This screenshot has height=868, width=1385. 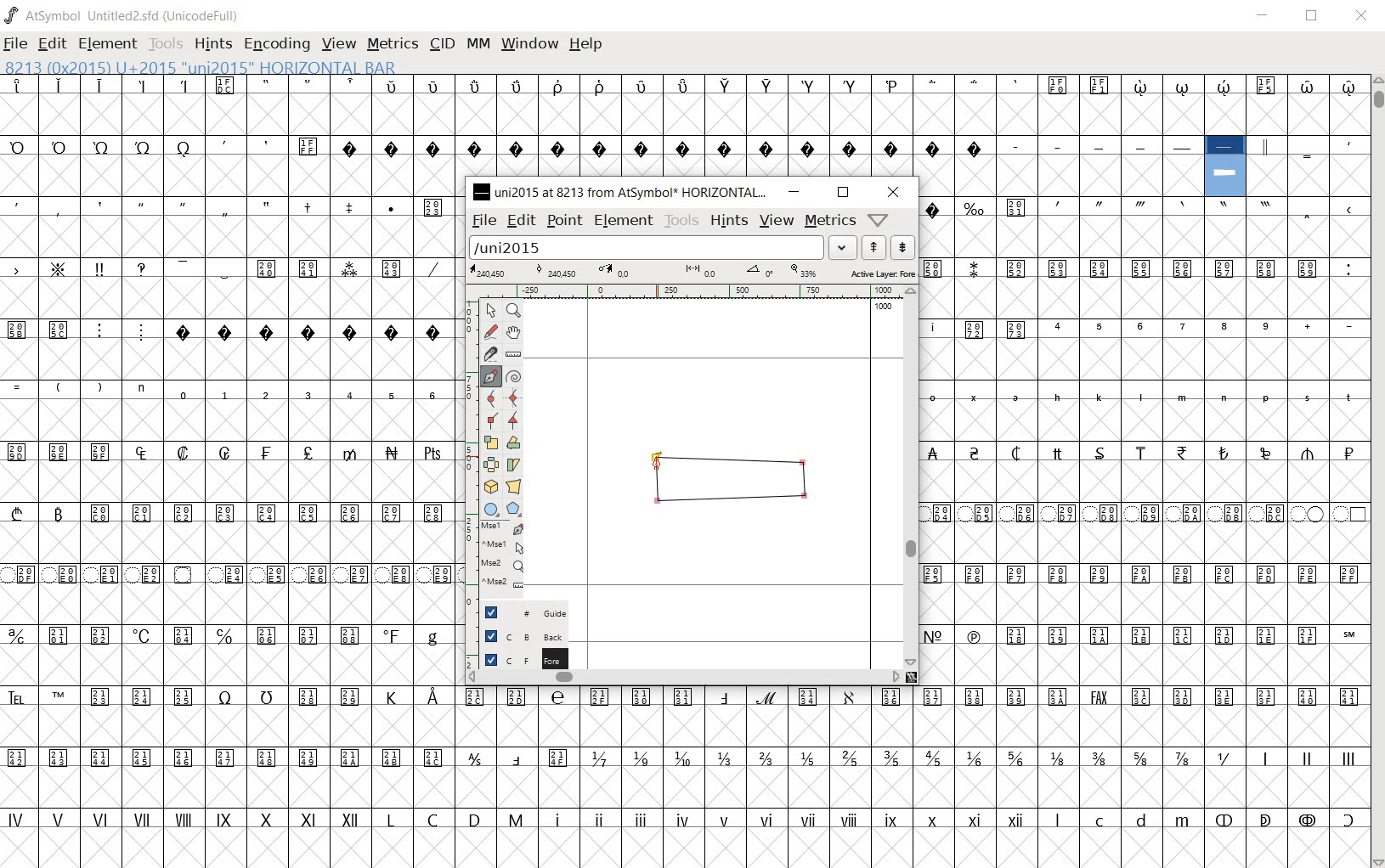 I want to click on polygon or star, so click(x=514, y=508).